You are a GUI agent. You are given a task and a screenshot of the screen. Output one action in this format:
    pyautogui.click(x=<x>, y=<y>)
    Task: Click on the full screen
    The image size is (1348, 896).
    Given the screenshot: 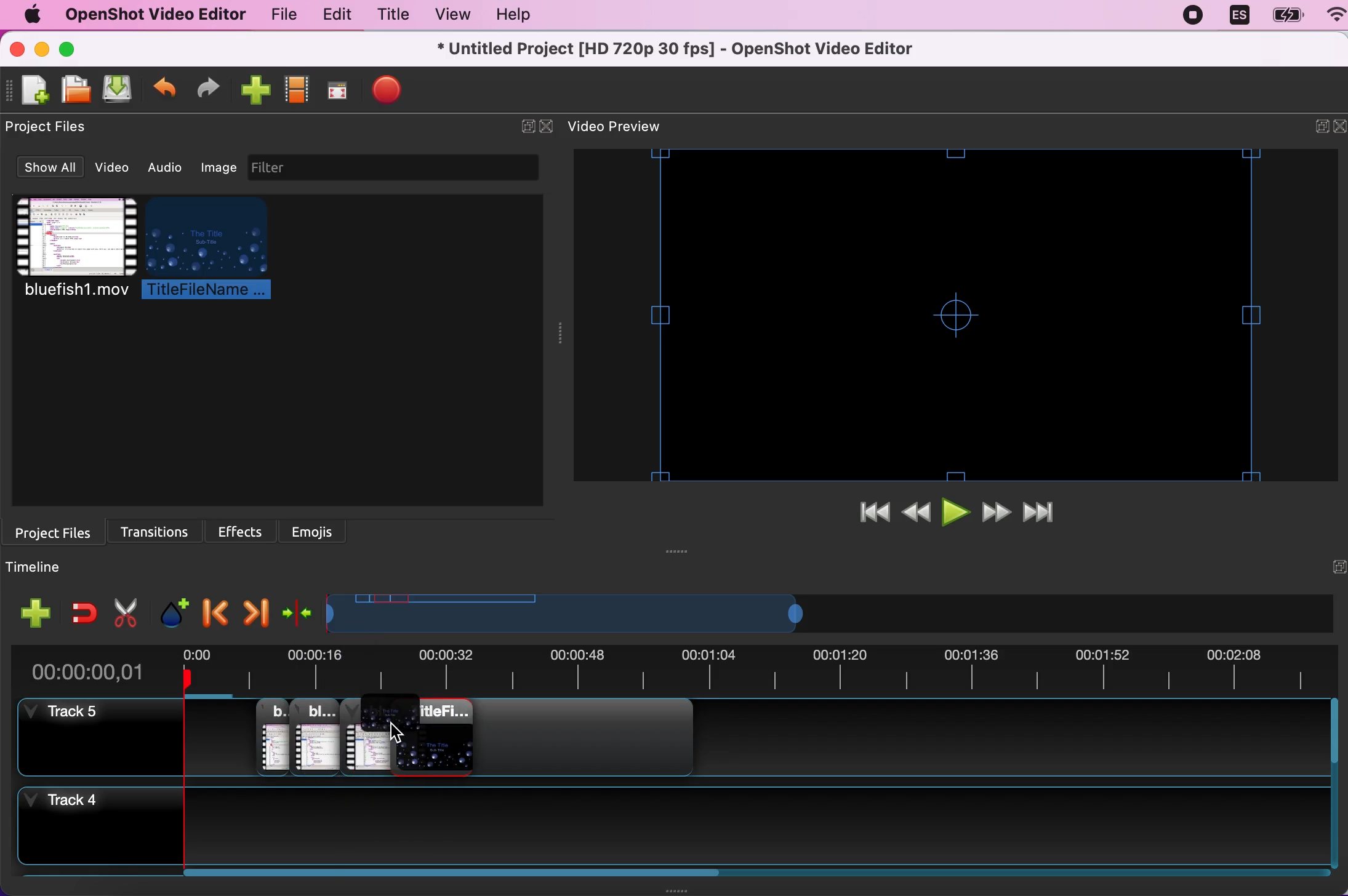 What is the action you would take?
    pyautogui.click(x=336, y=94)
    